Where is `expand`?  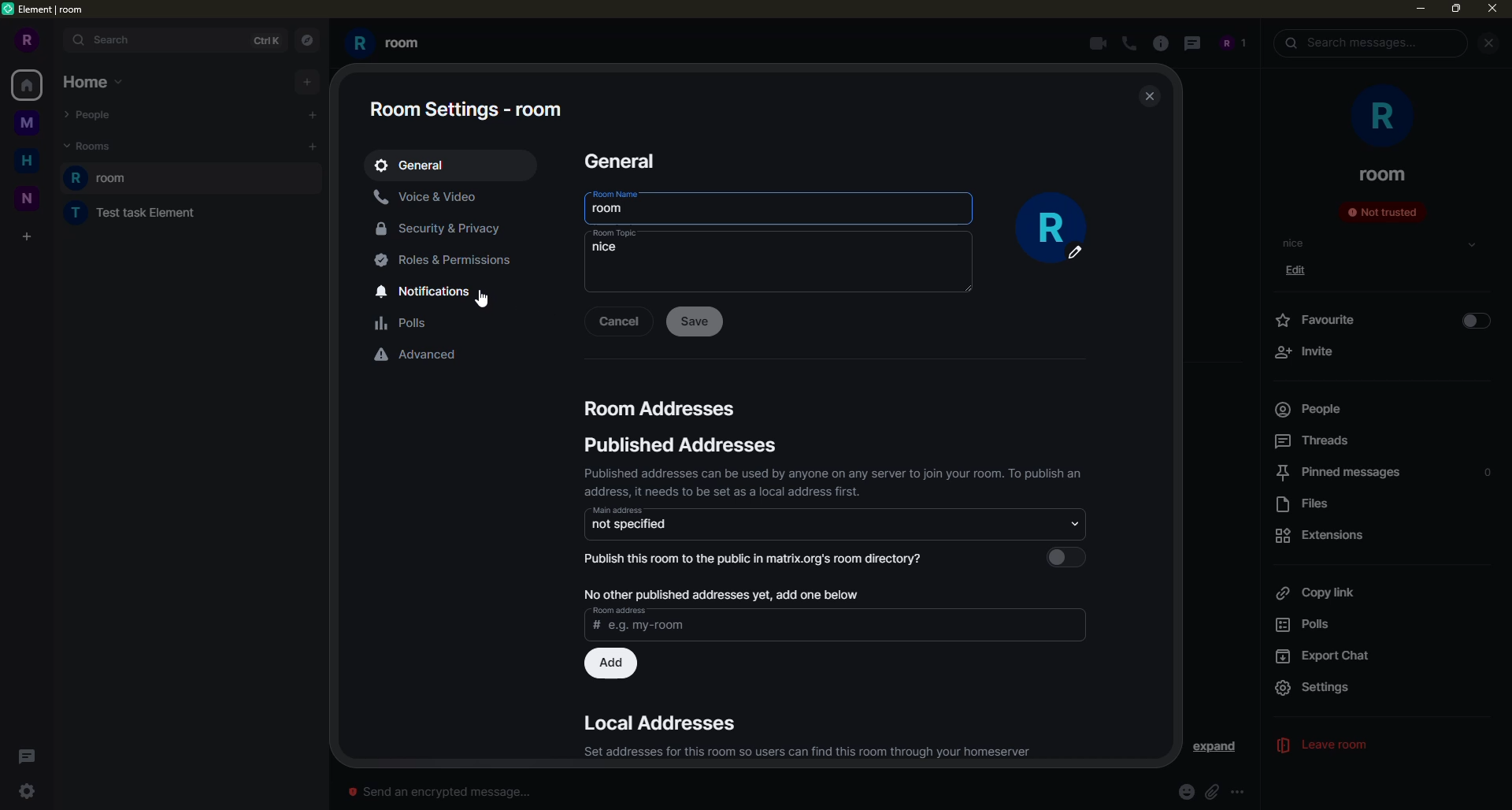 expand is located at coordinates (1485, 688).